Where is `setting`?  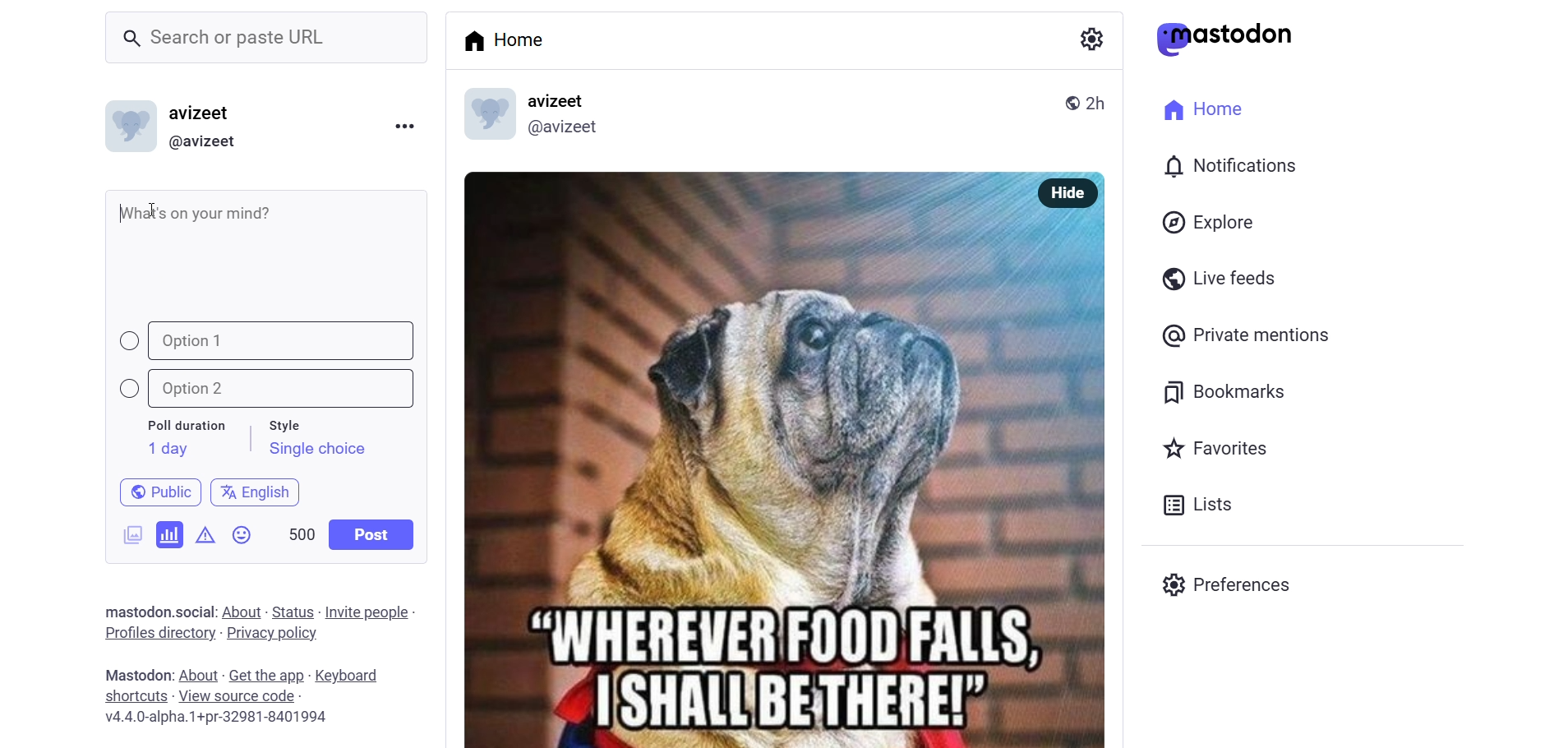 setting is located at coordinates (1089, 38).